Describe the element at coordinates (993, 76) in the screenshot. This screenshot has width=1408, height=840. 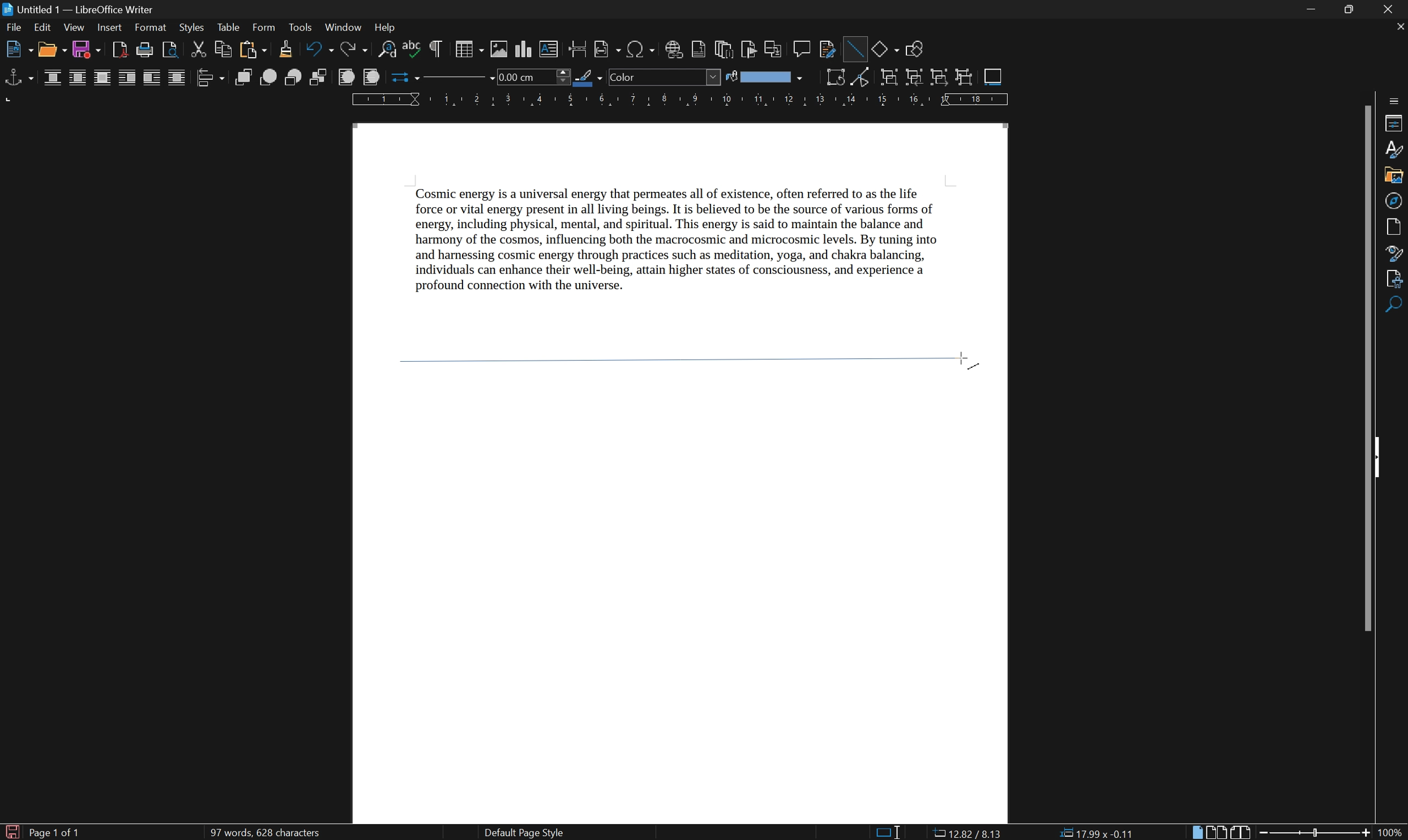
I see `insert caption` at that location.